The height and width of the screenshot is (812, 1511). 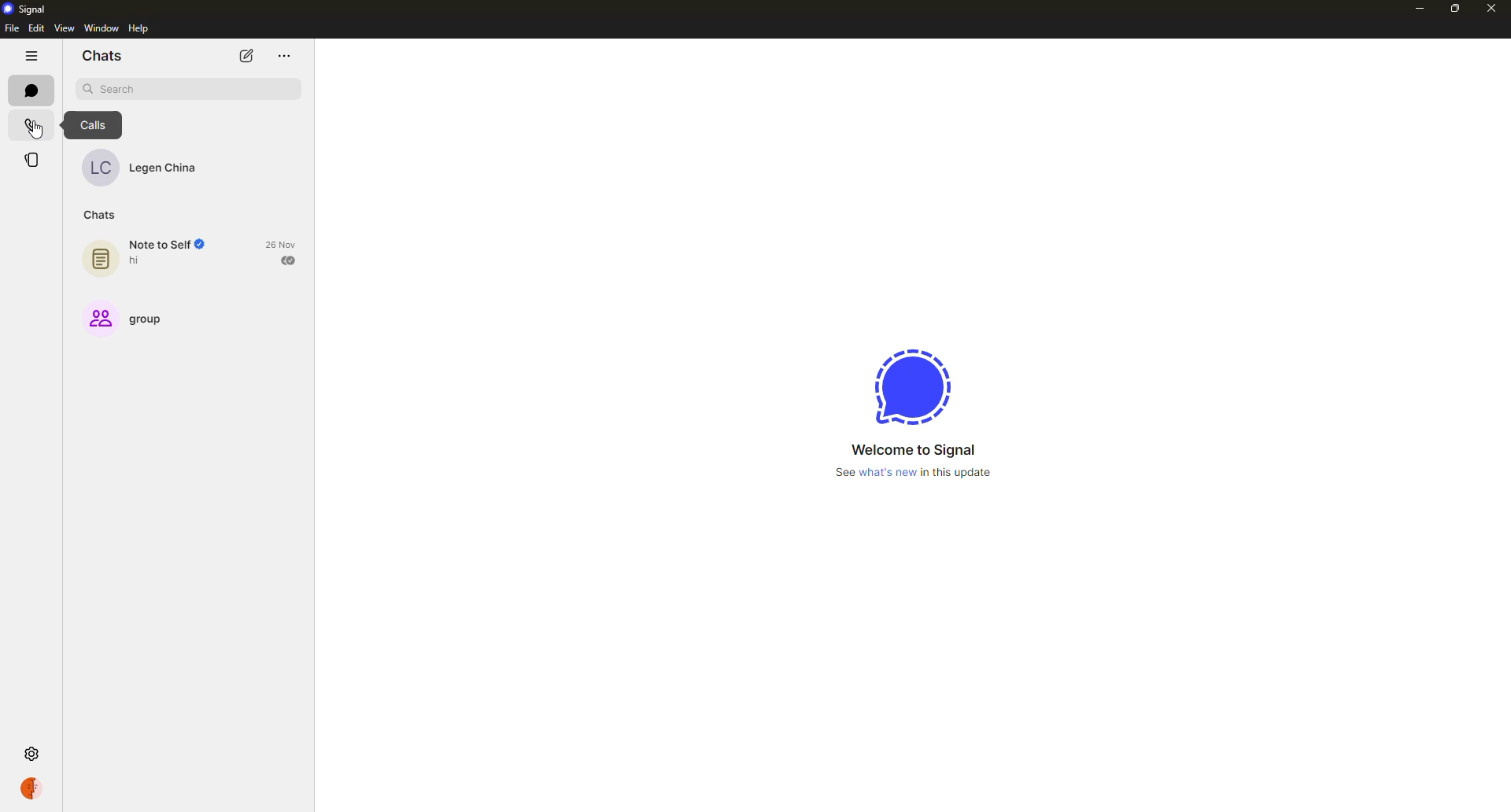 I want to click on view, so click(x=64, y=28).